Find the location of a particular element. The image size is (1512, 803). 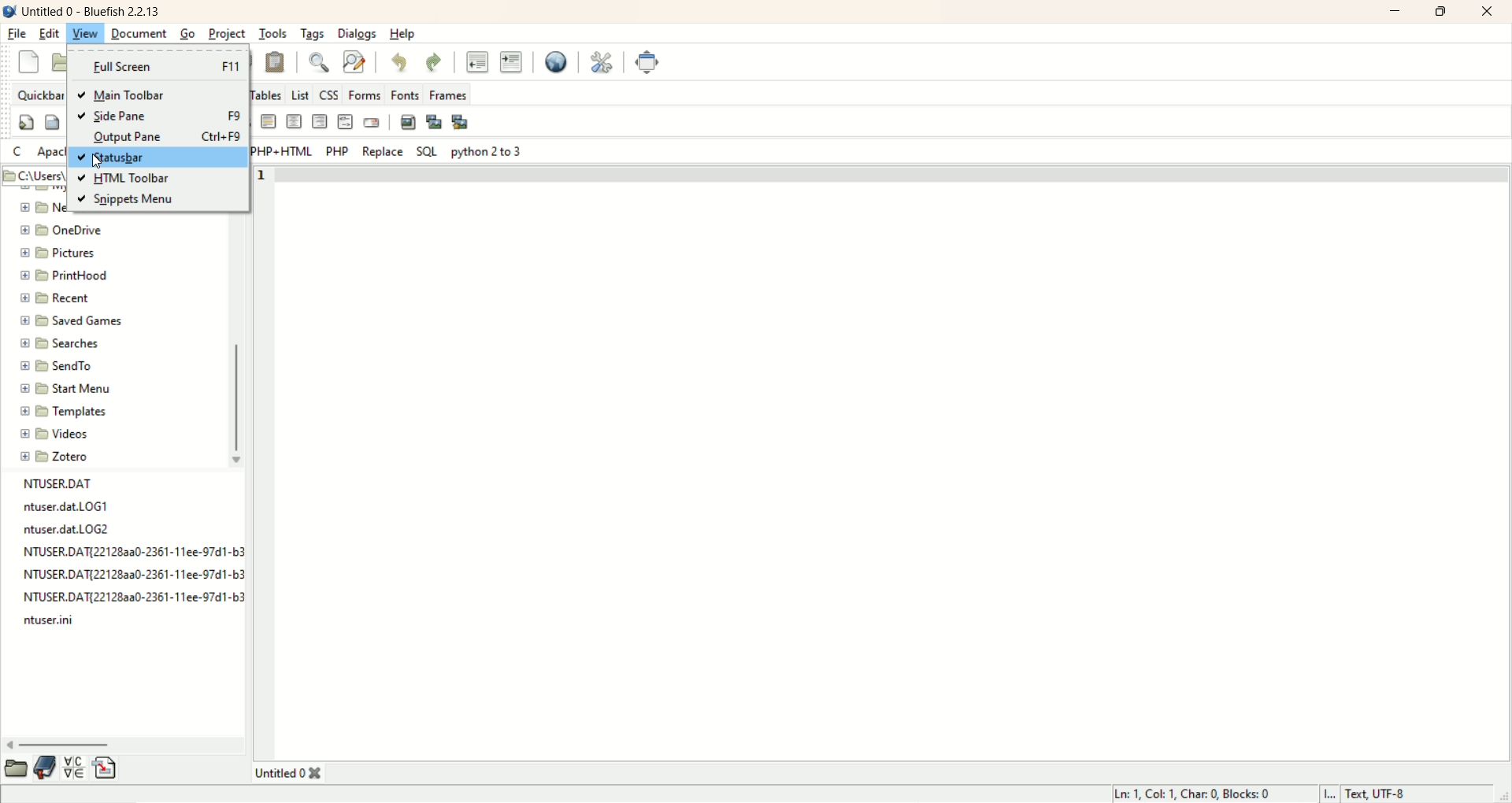

insert thumbnail is located at coordinates (434, 123).